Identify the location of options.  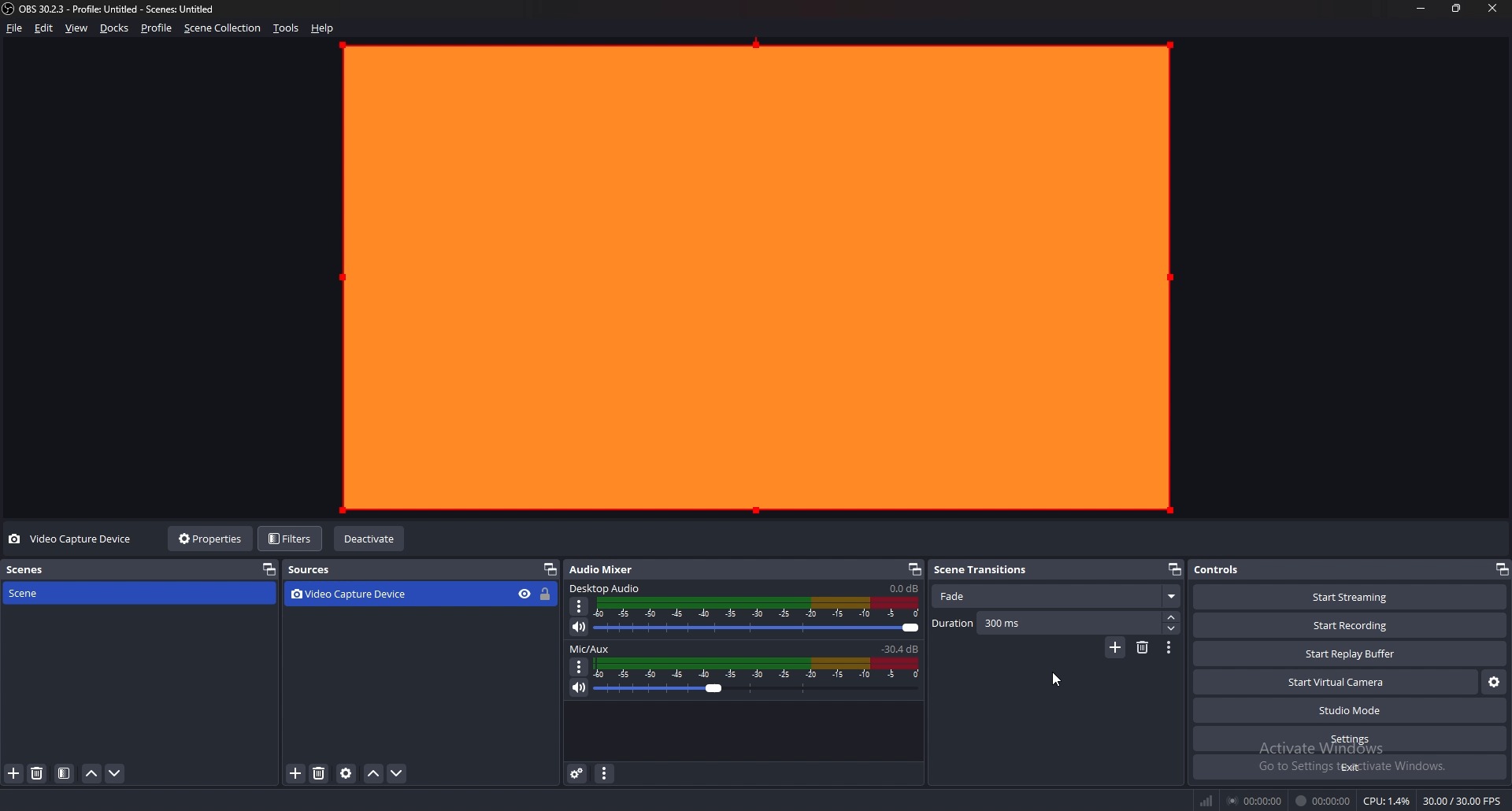
(580, 667).